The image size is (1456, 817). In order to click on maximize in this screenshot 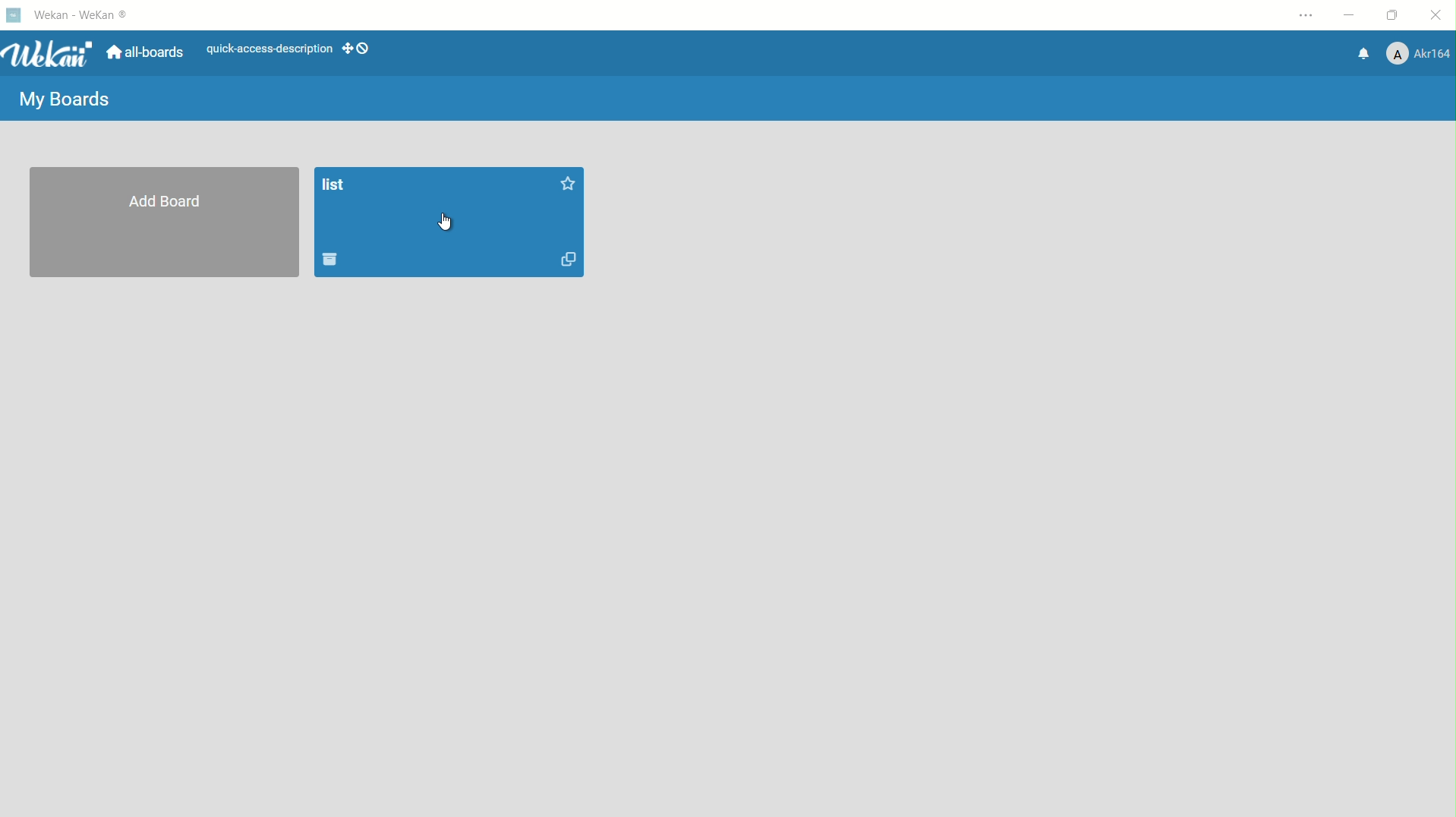, I will do `click(1395, 18)`.